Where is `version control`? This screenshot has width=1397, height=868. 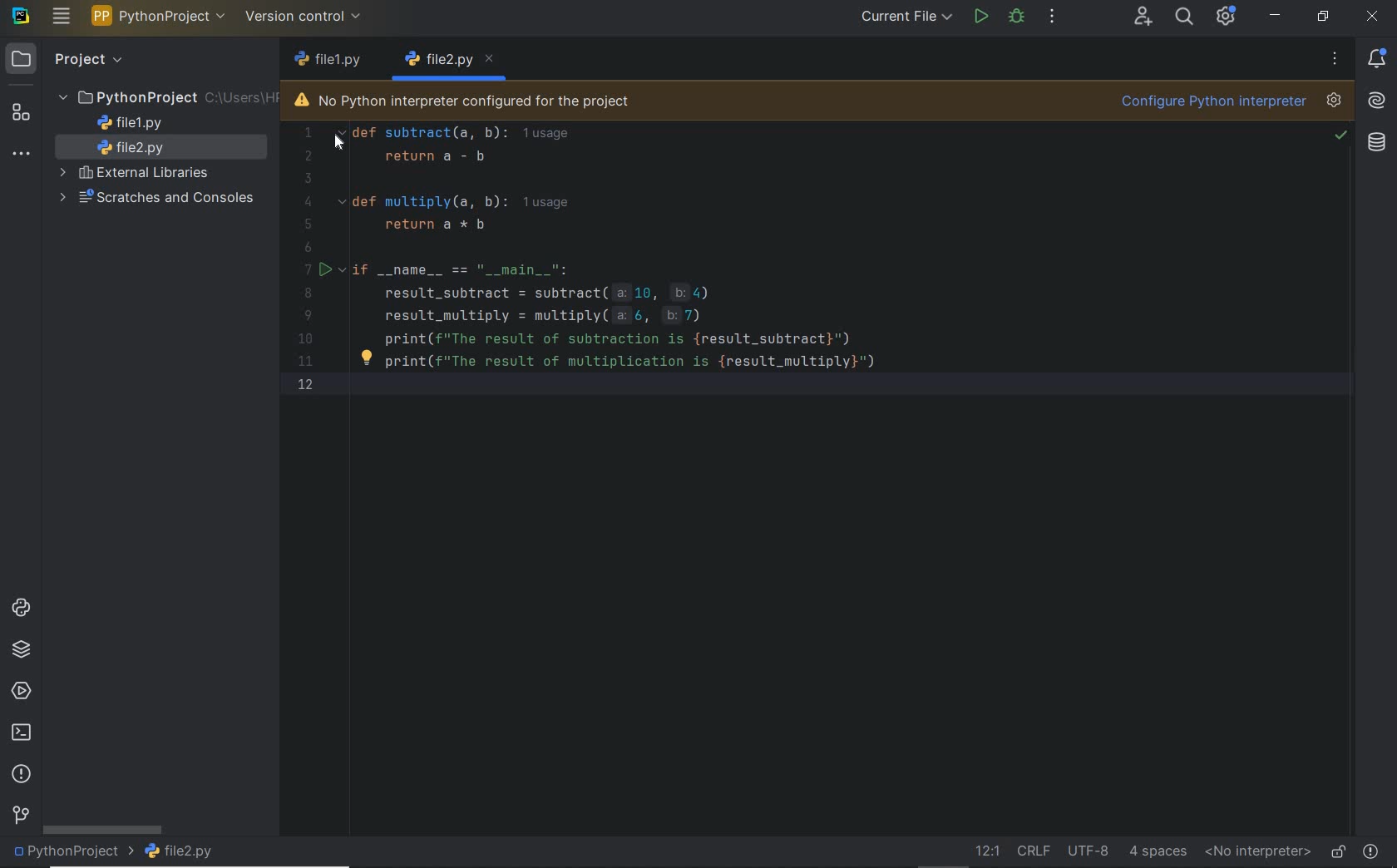
version control is located at coordinates (18, 816).